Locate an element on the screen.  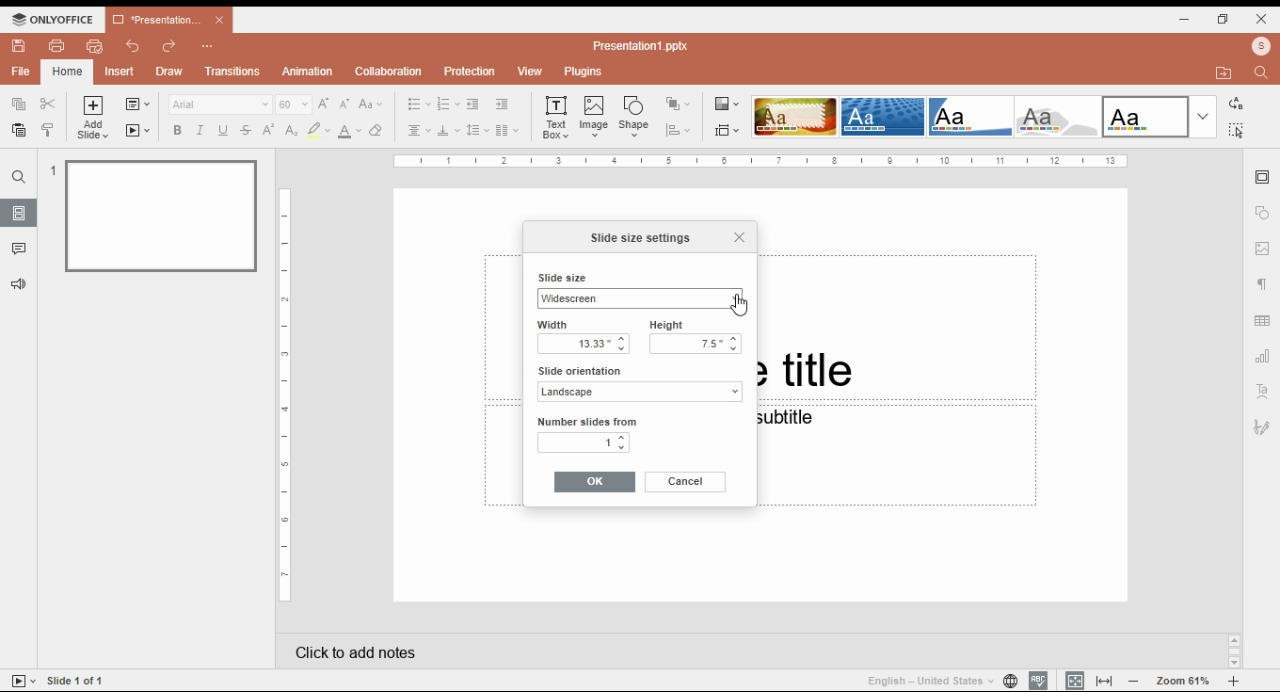
quick print  is located at coordinates (95, 46).